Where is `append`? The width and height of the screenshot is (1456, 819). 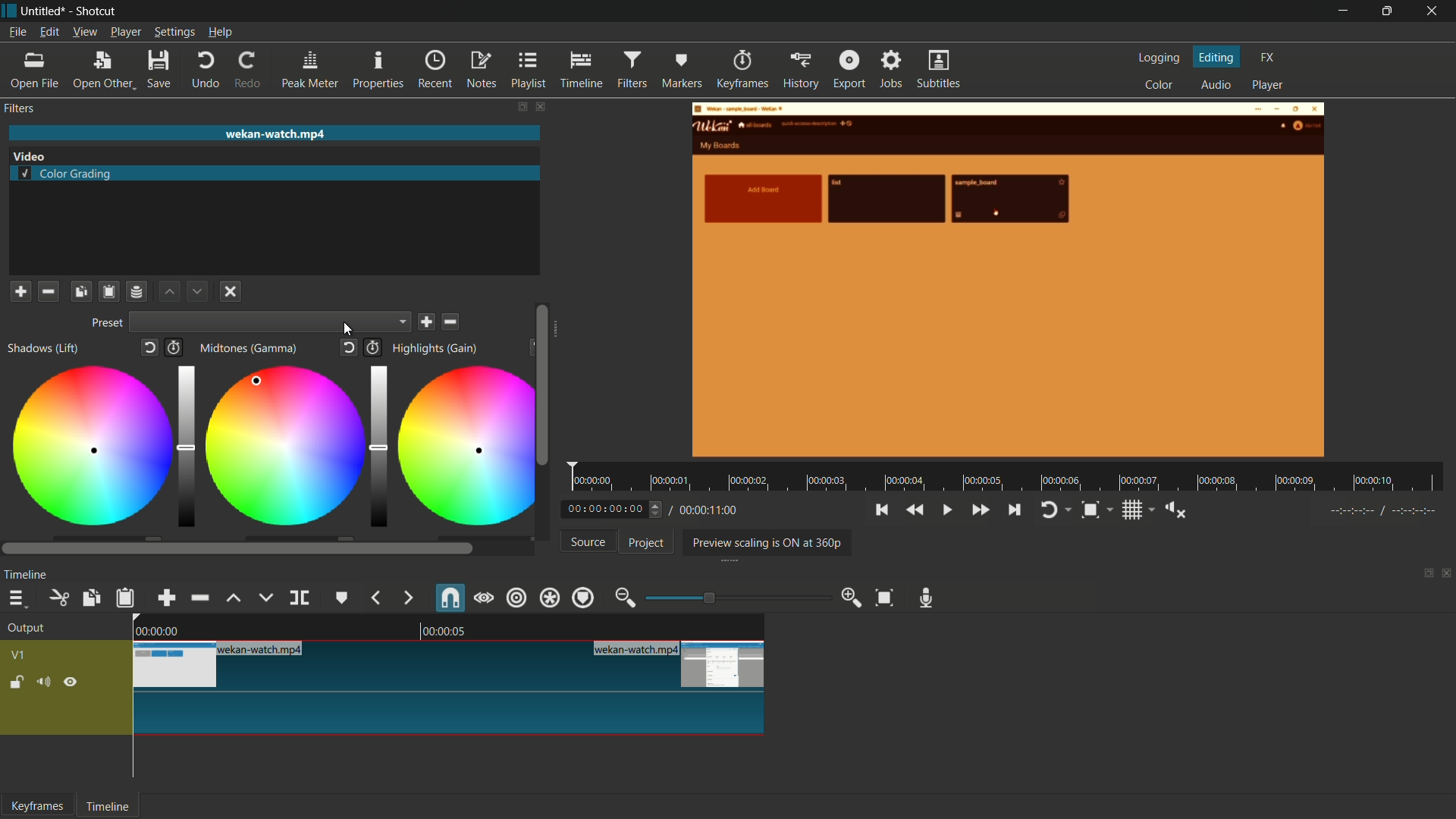 append is located at coordinates (167, 598).